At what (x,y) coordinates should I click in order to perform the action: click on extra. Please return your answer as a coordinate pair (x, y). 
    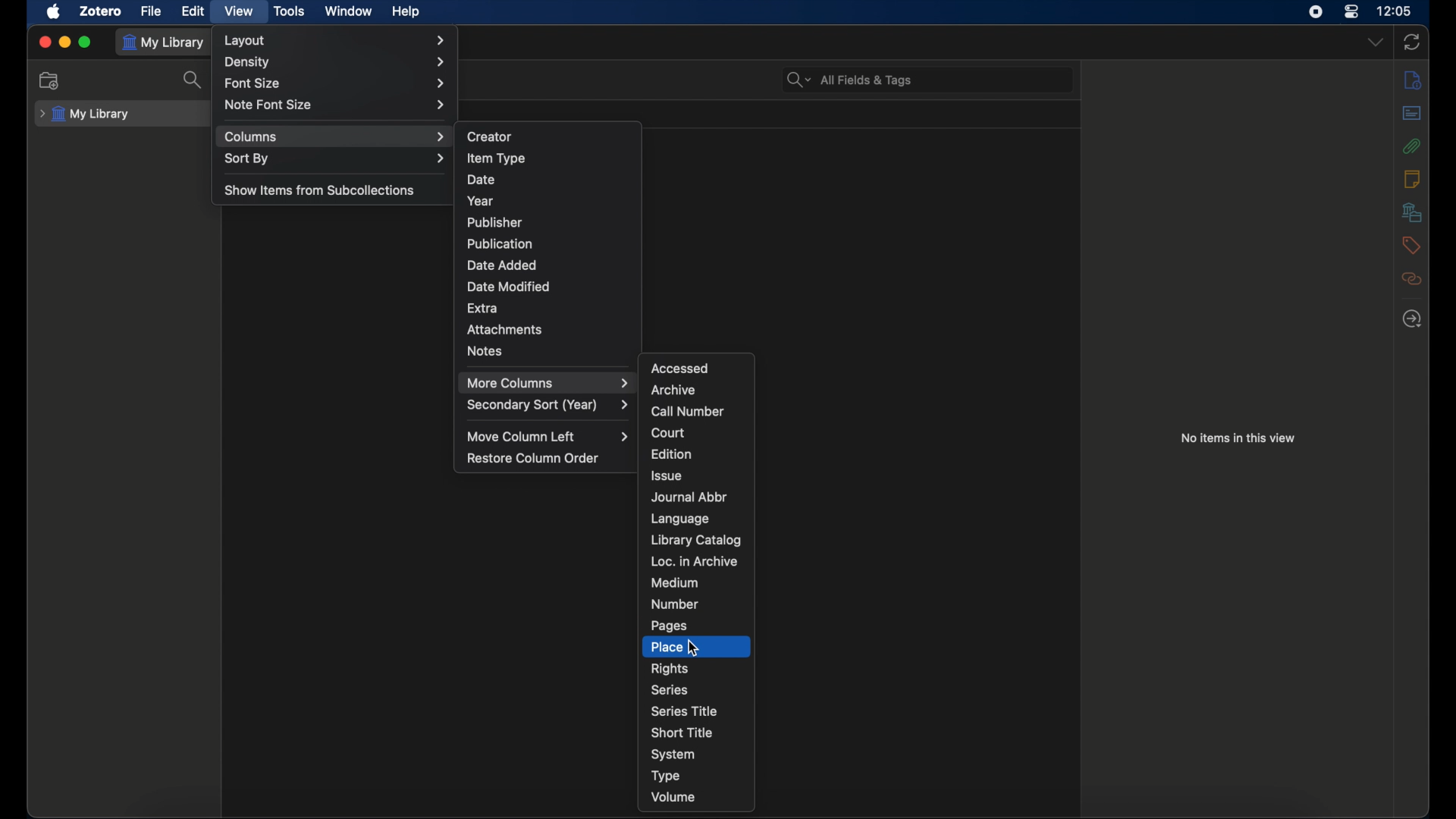
    Looking at the image, I should click on (483, 307).